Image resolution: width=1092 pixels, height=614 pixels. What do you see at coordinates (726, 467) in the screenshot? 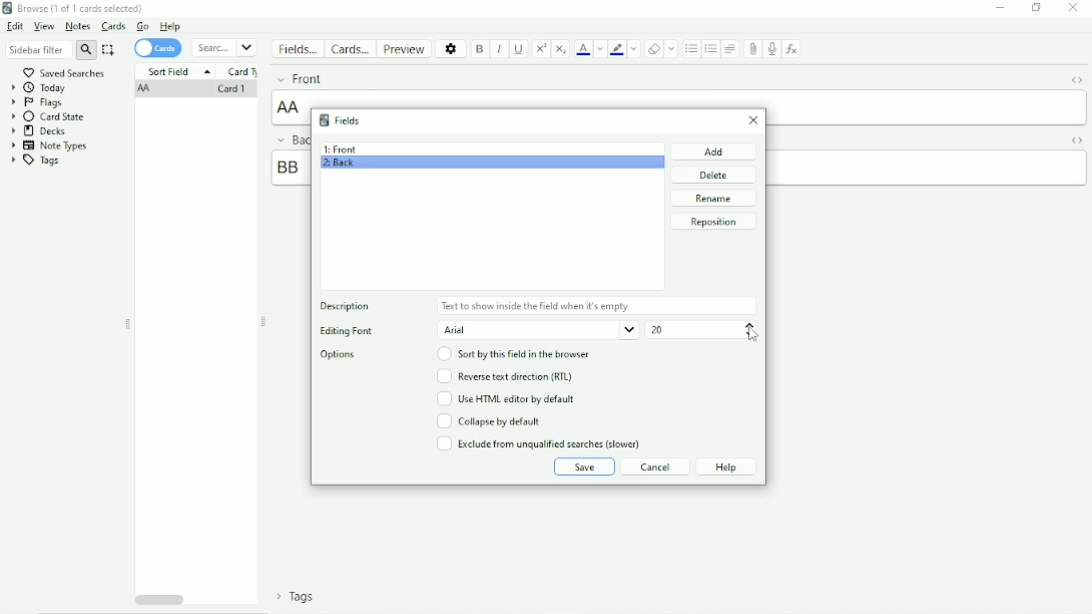
I see `Help` at bounding box center [726, 467].